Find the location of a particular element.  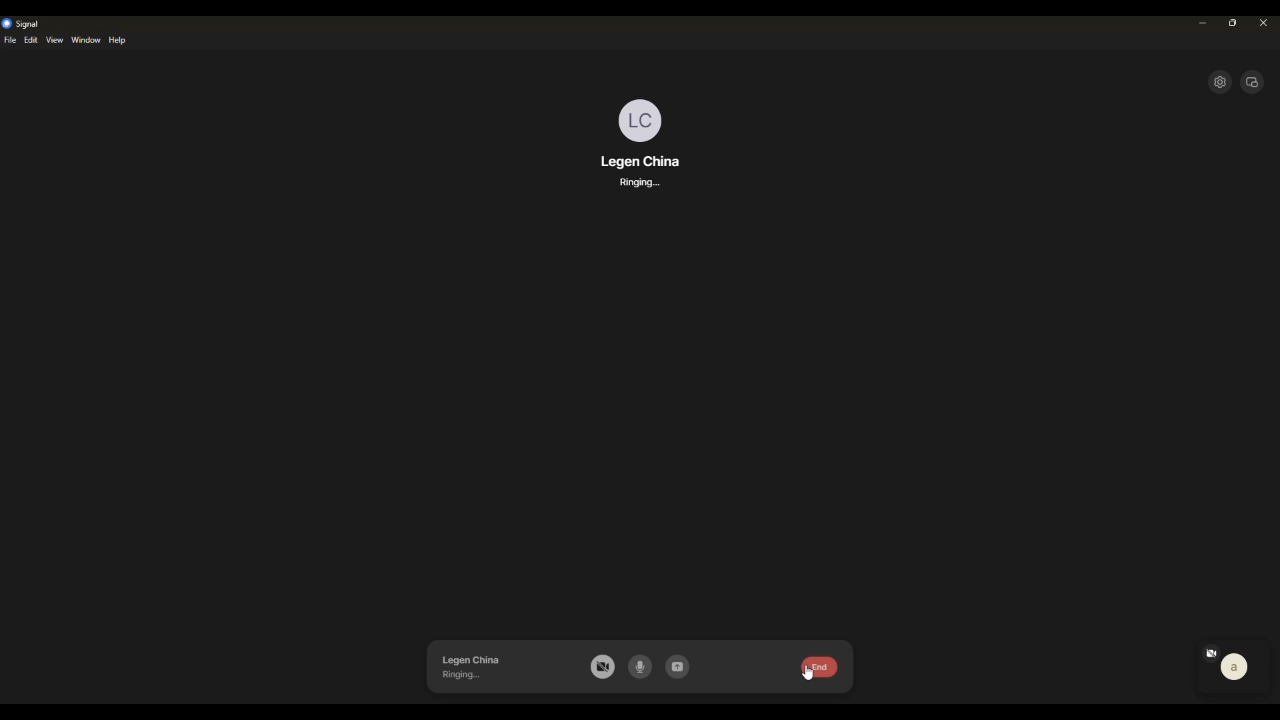

mic is located at coordinates (637, 667).